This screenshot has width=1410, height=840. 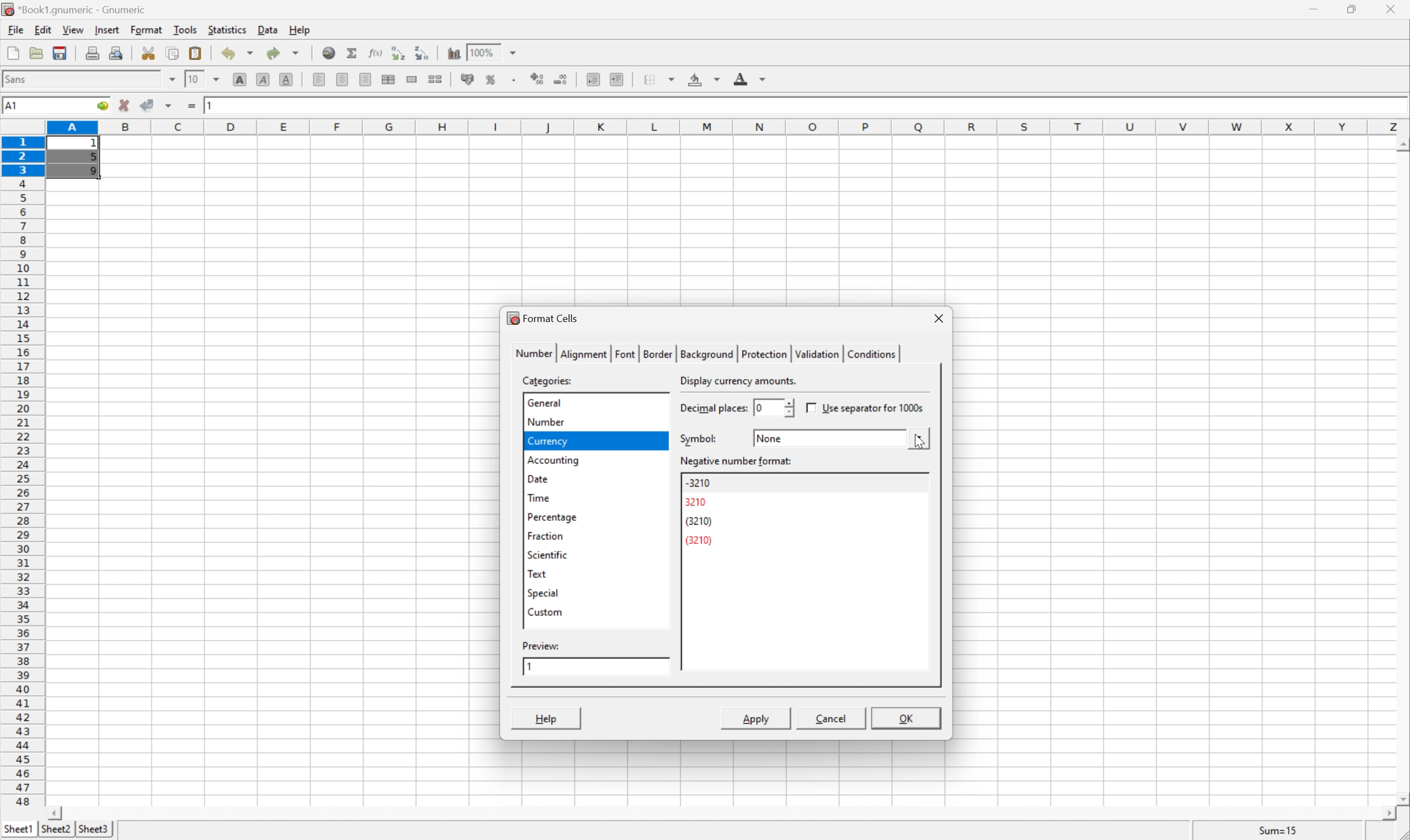 What do you see at coordinates (35, 51) in the screenshot?
I see `open a file` at bounding box center [35, 51].